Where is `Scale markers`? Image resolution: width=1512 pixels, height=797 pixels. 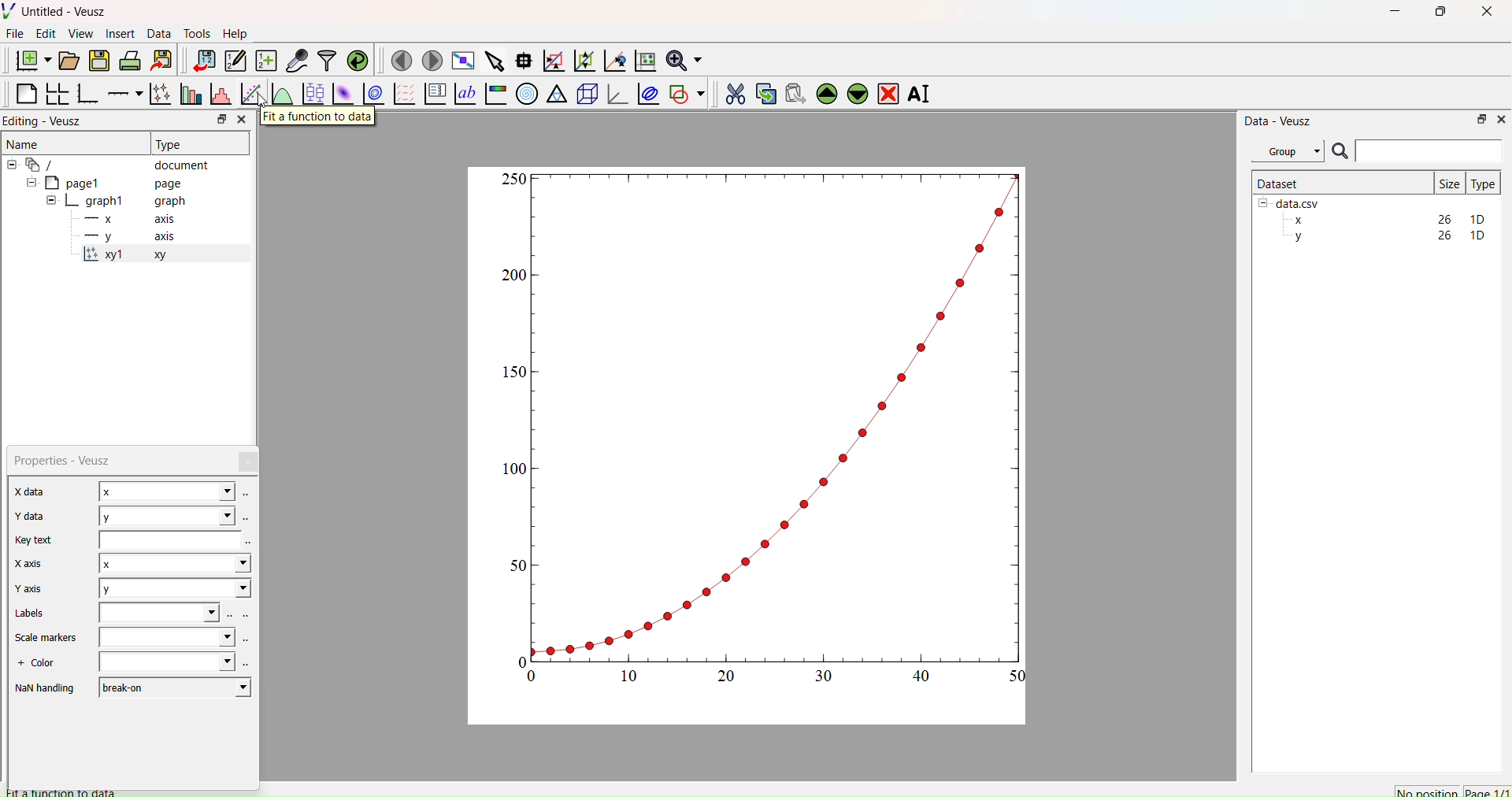 Scale markers is located at coordinates (46, 637).